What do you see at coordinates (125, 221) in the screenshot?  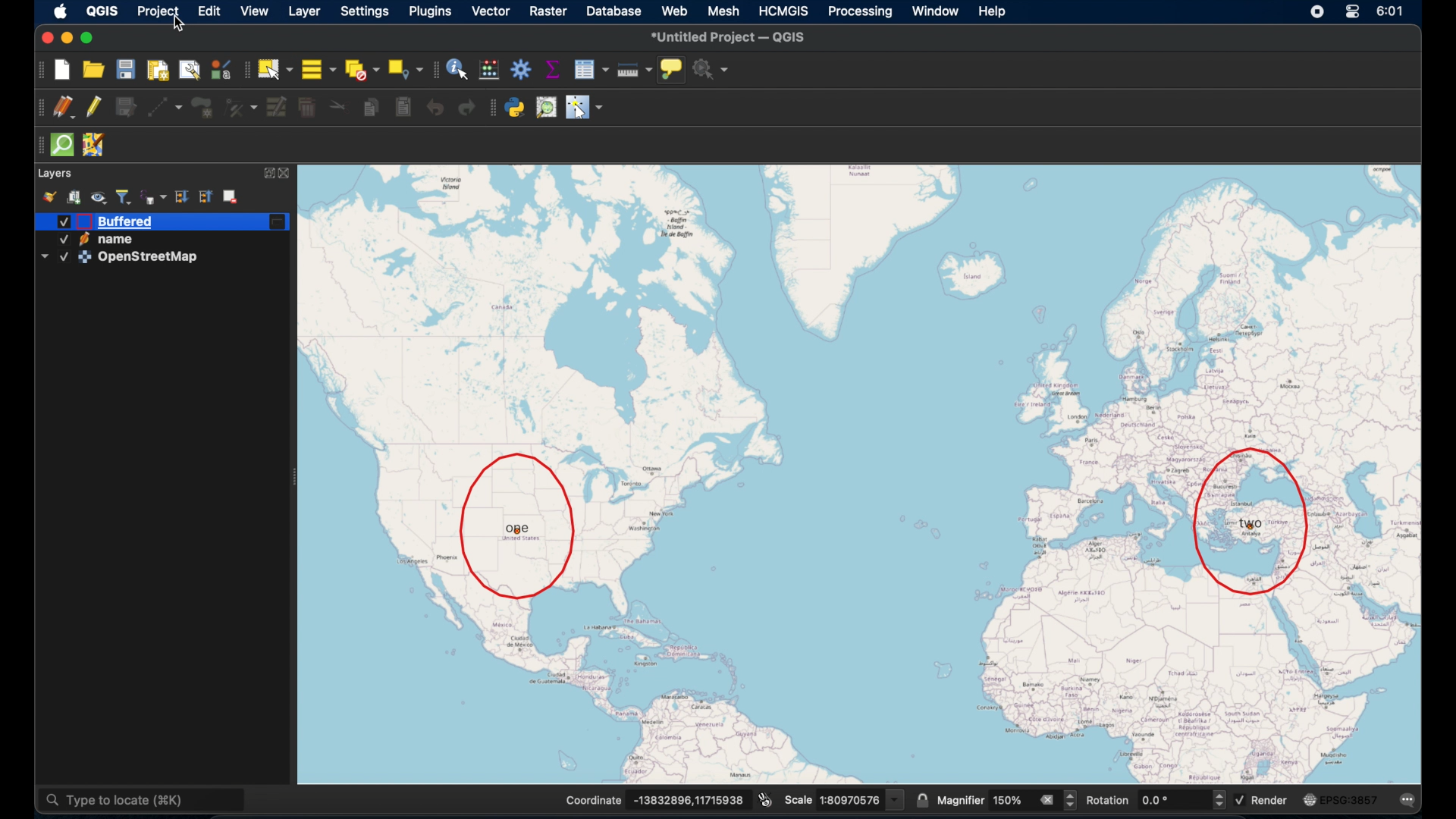 I see `buffered` at bounding box center [125, 221].